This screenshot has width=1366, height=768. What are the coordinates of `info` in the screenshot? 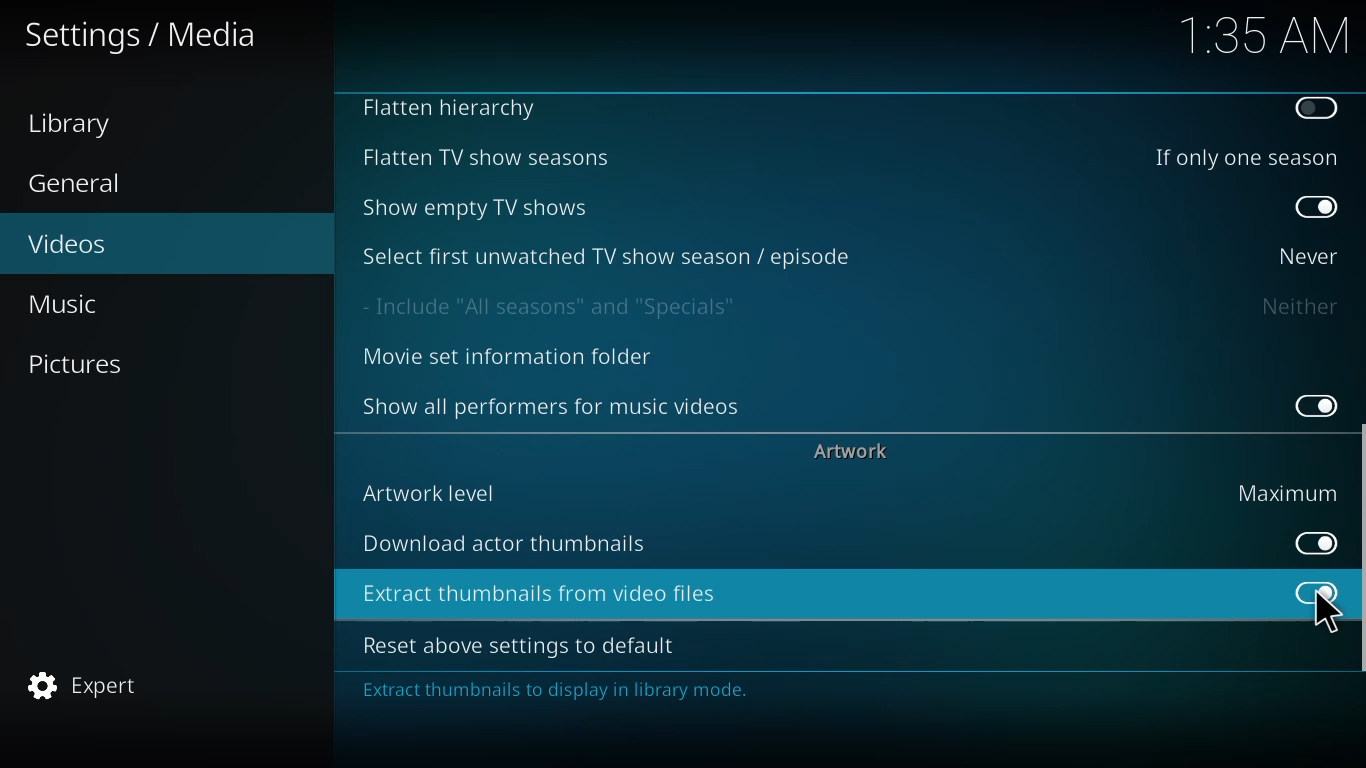 It's located at (560, 693).